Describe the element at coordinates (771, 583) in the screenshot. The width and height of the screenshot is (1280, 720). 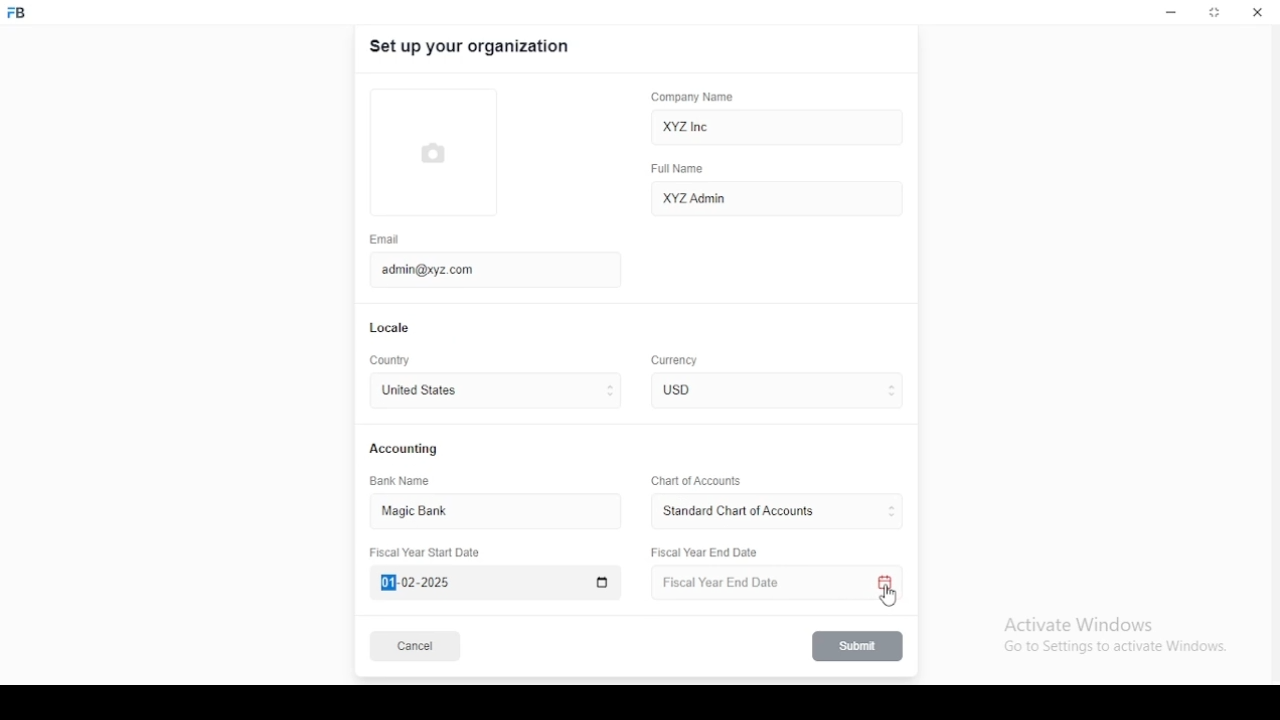
I see `Fiscal Year End Date` at that location.